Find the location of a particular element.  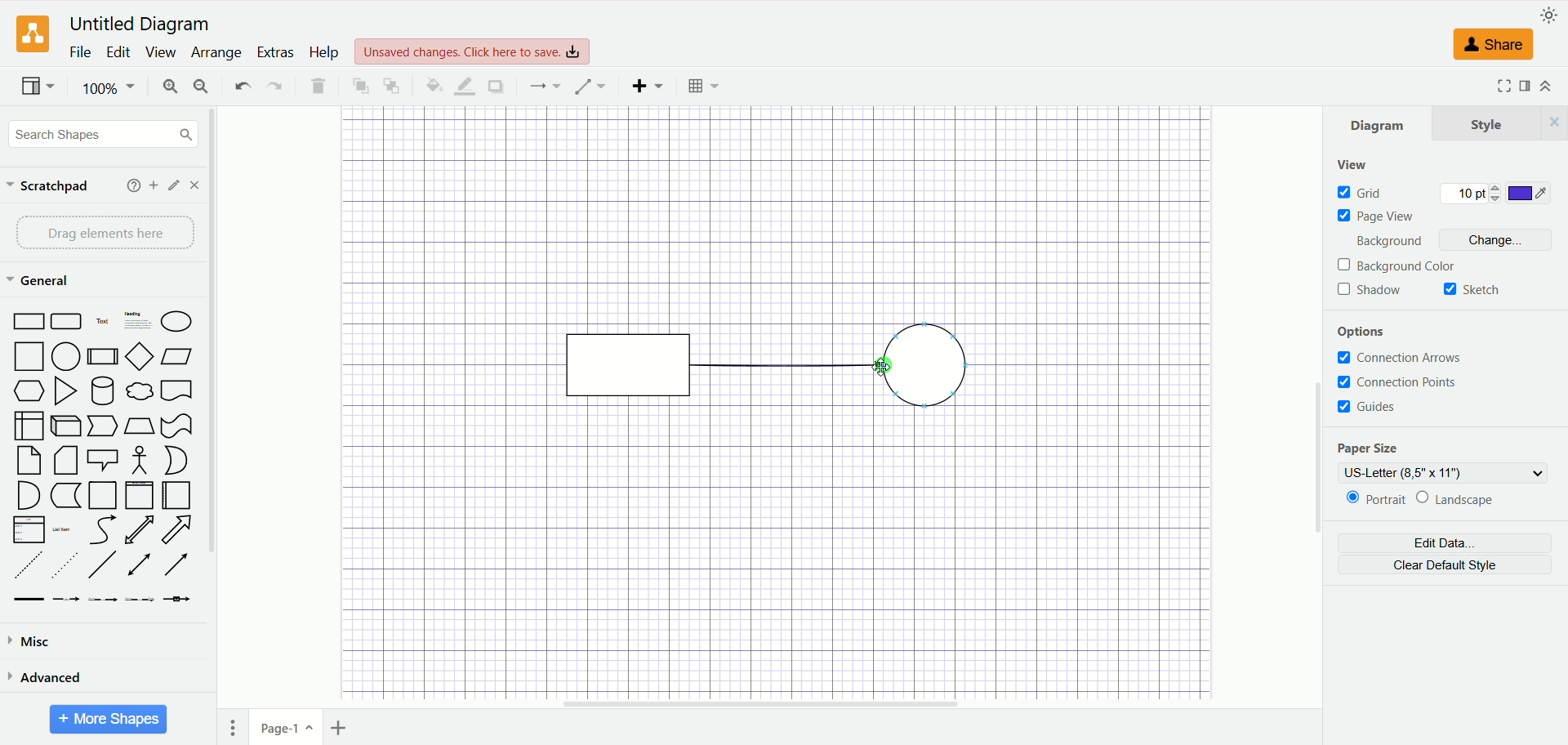

to front is located at coordinates (359, 84).